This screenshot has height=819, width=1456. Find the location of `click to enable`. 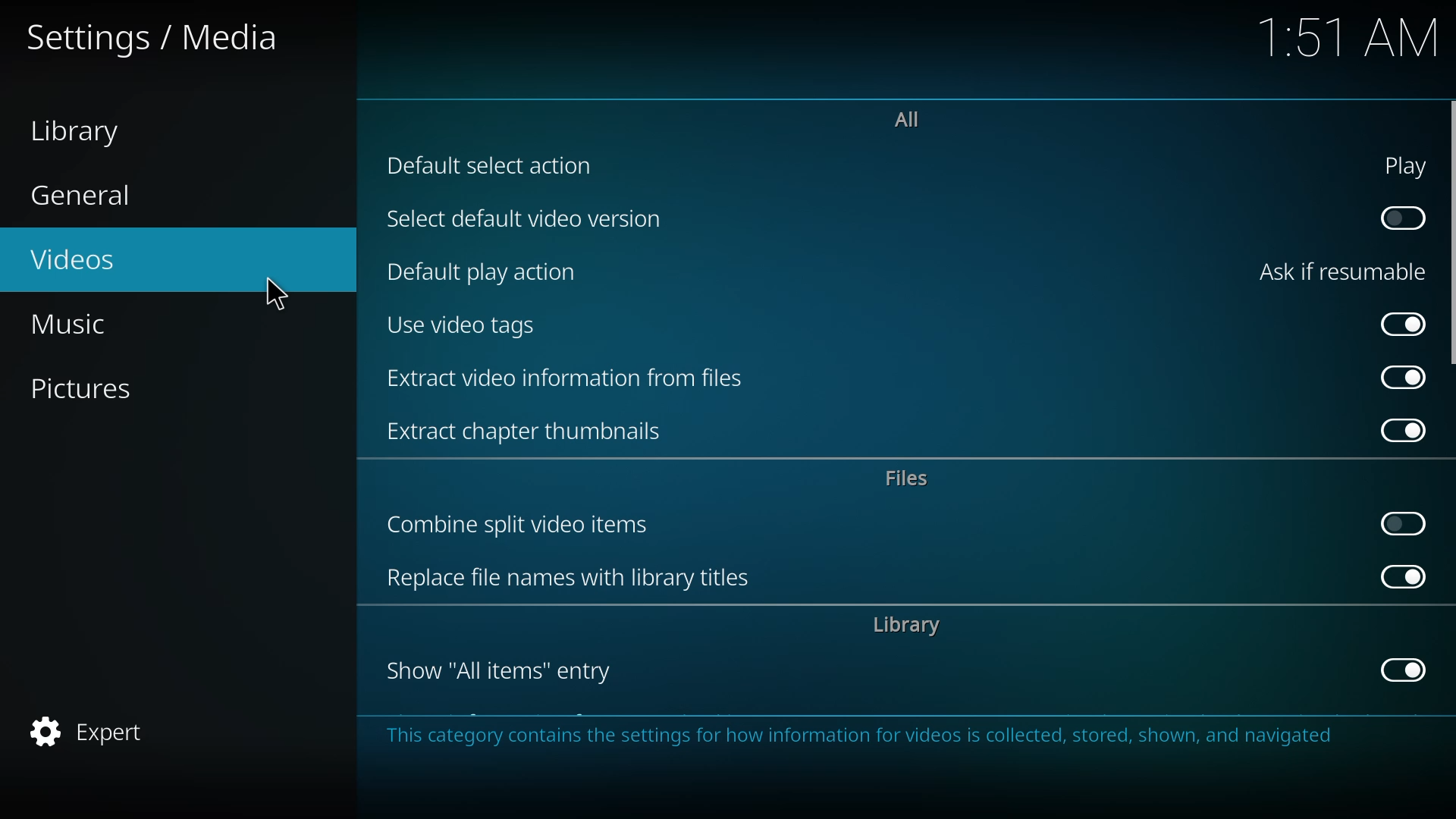

click to enable is located at coordinates (1397, 218).